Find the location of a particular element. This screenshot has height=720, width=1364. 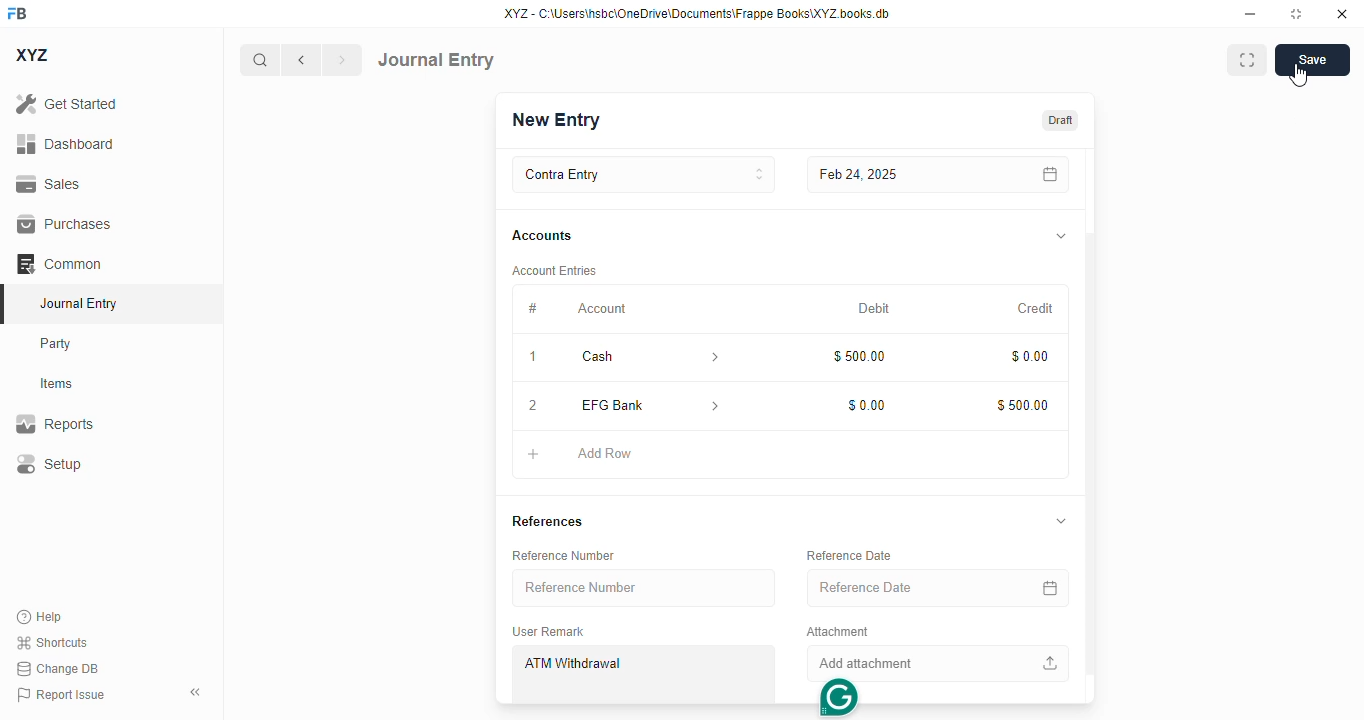

reference date is located at coordinates (897, 586).